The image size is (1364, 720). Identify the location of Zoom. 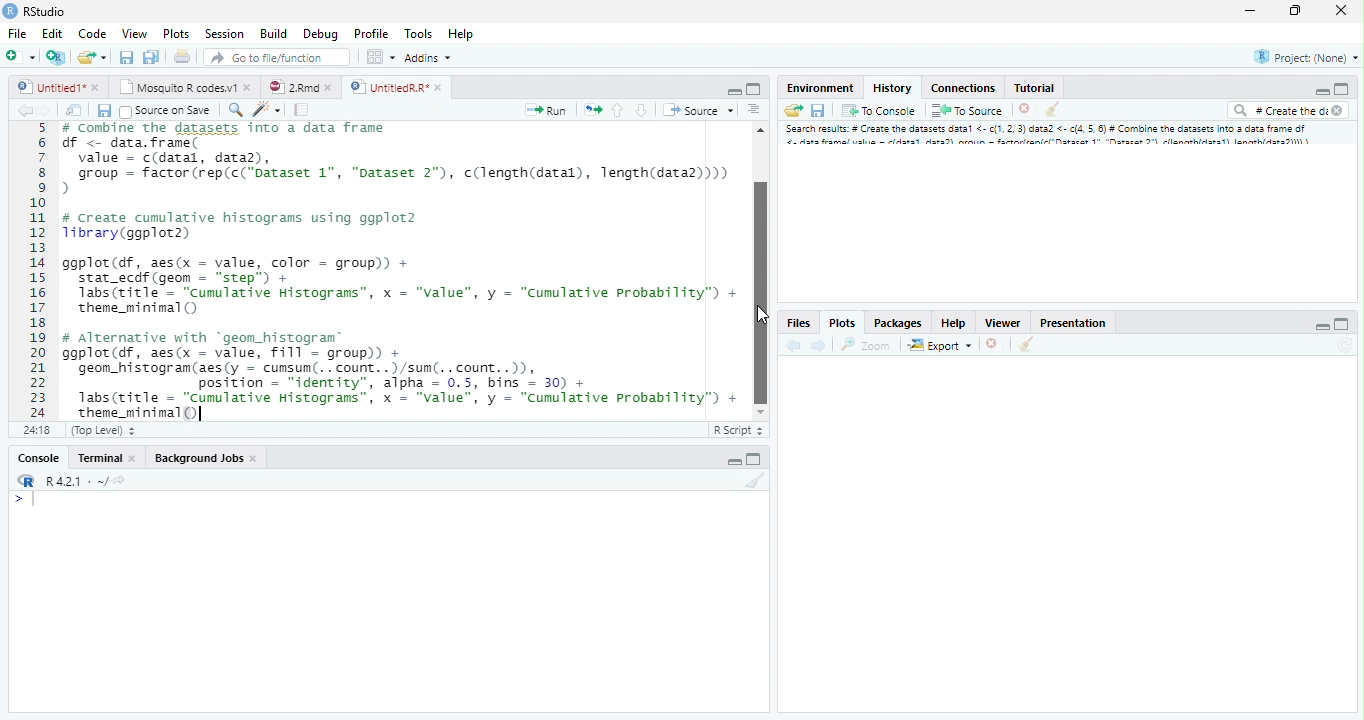
(235, 112).